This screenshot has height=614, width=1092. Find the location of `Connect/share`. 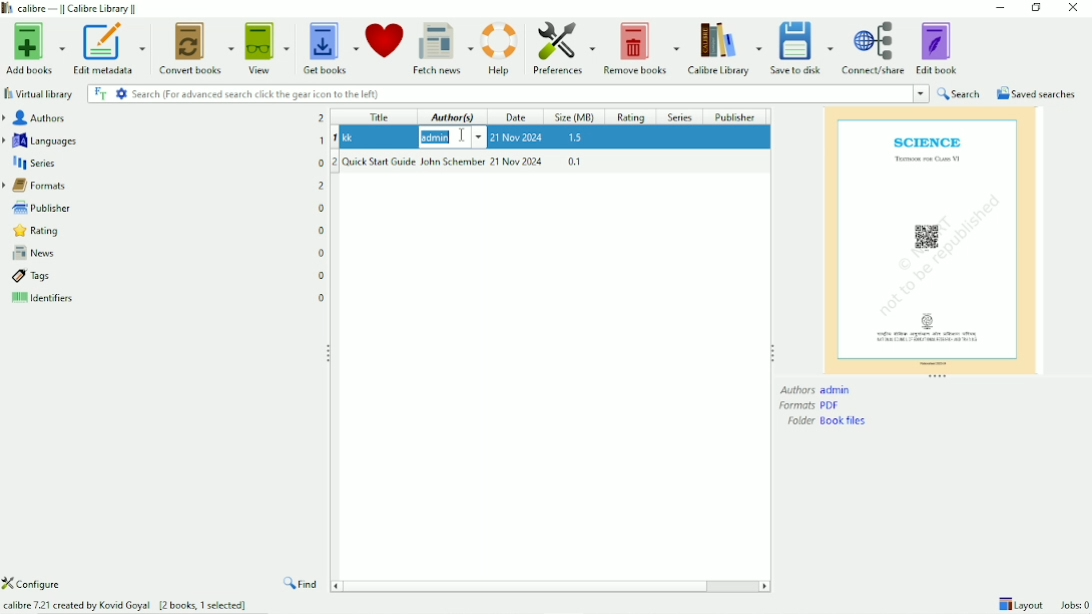

Connect/share is located at coordinates (873, 49).